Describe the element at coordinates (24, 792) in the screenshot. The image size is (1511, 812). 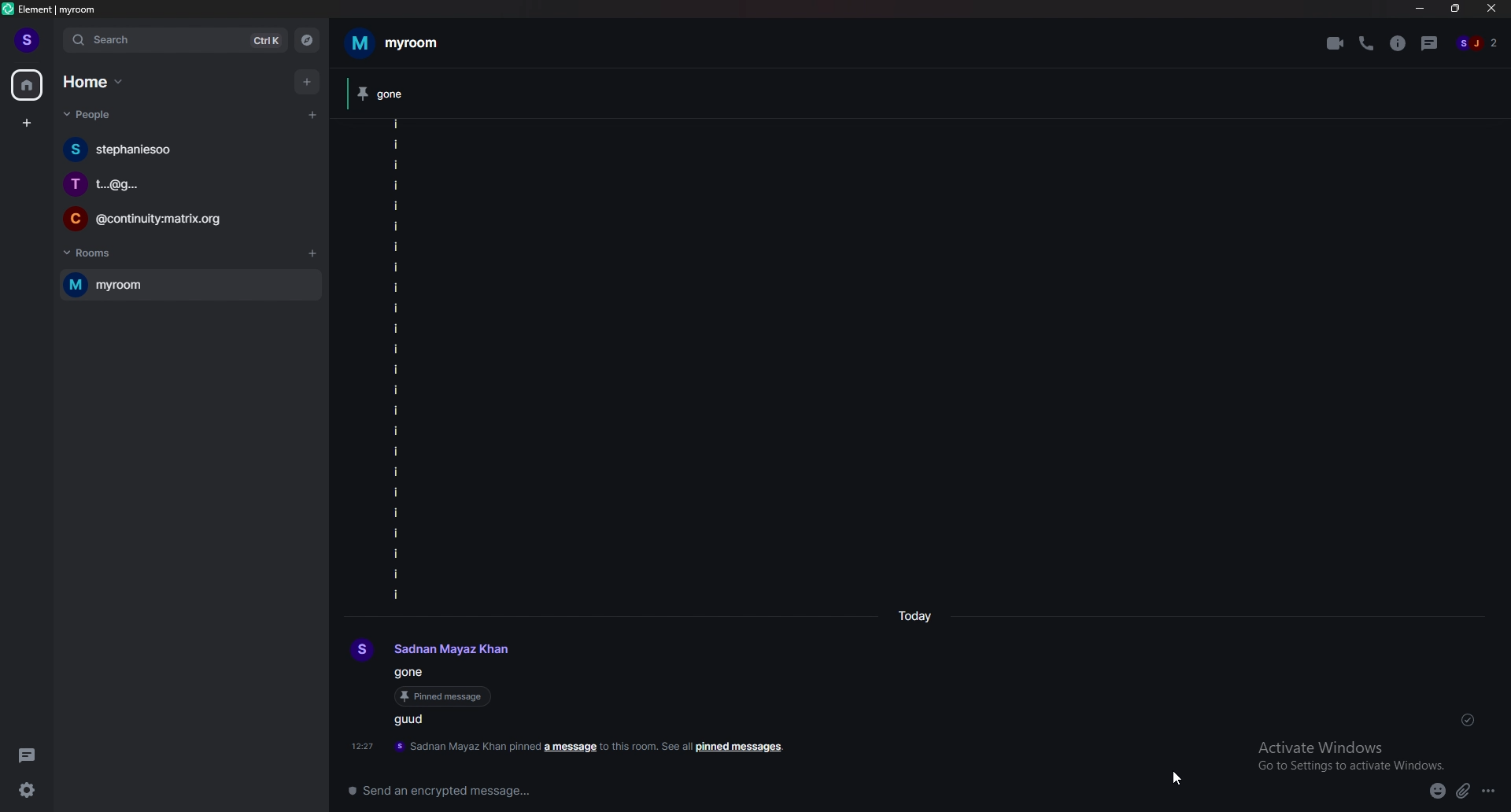
I see `settings` at that location.